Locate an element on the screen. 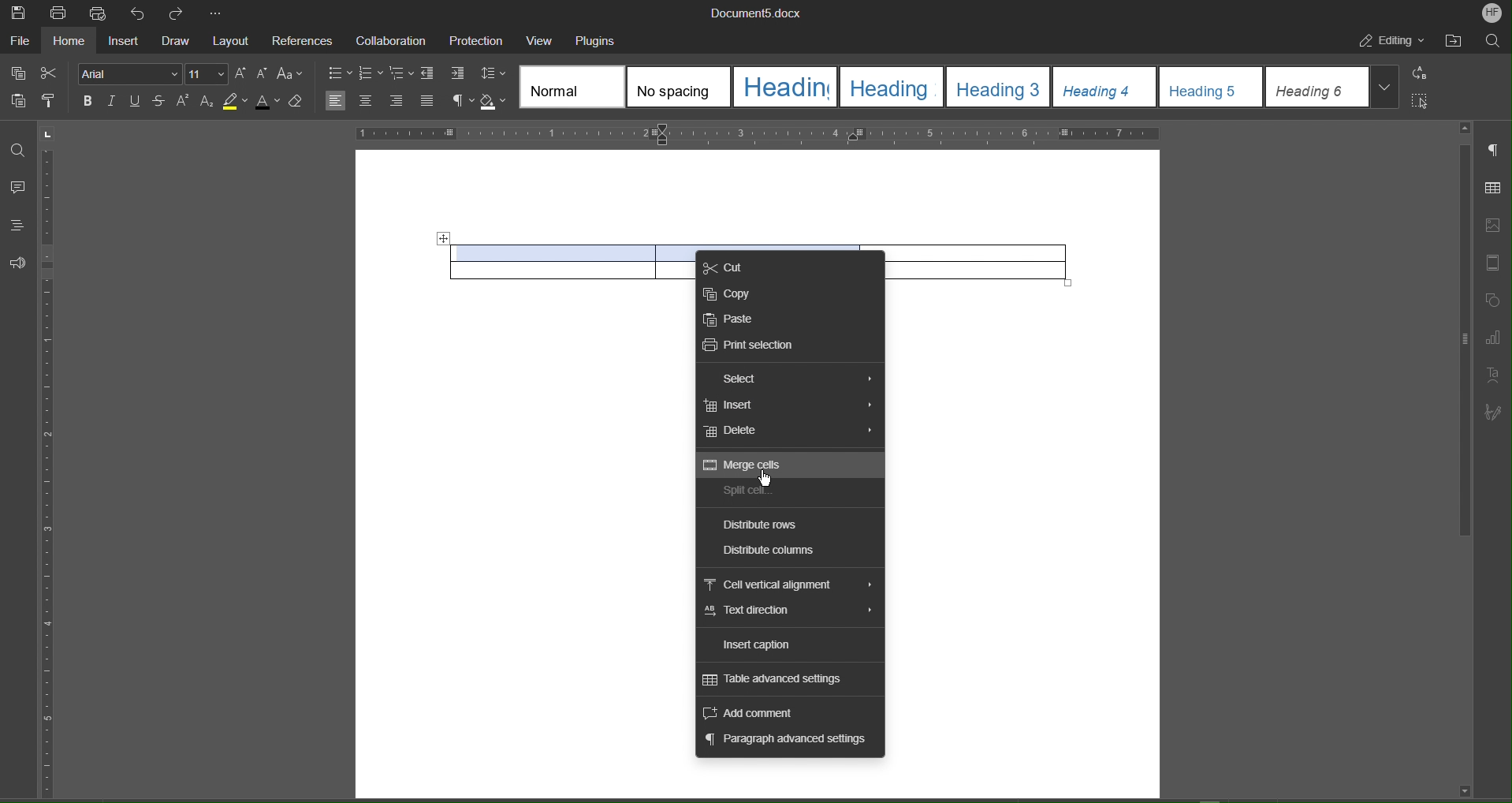  File is located at coordinates (20, 43).